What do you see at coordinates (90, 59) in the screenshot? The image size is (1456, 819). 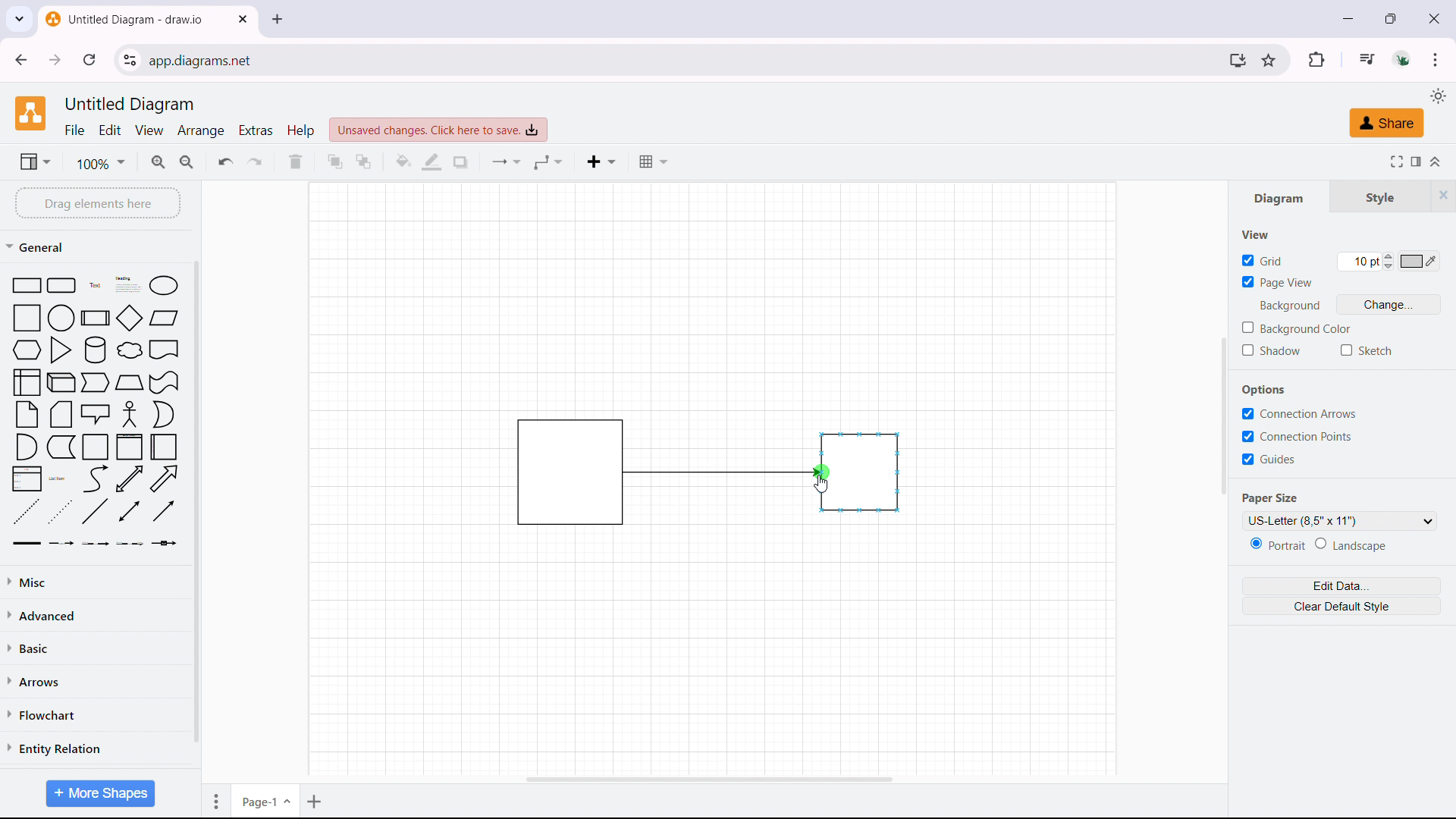 I see `refresh this page` at bounding box center [90, 59].